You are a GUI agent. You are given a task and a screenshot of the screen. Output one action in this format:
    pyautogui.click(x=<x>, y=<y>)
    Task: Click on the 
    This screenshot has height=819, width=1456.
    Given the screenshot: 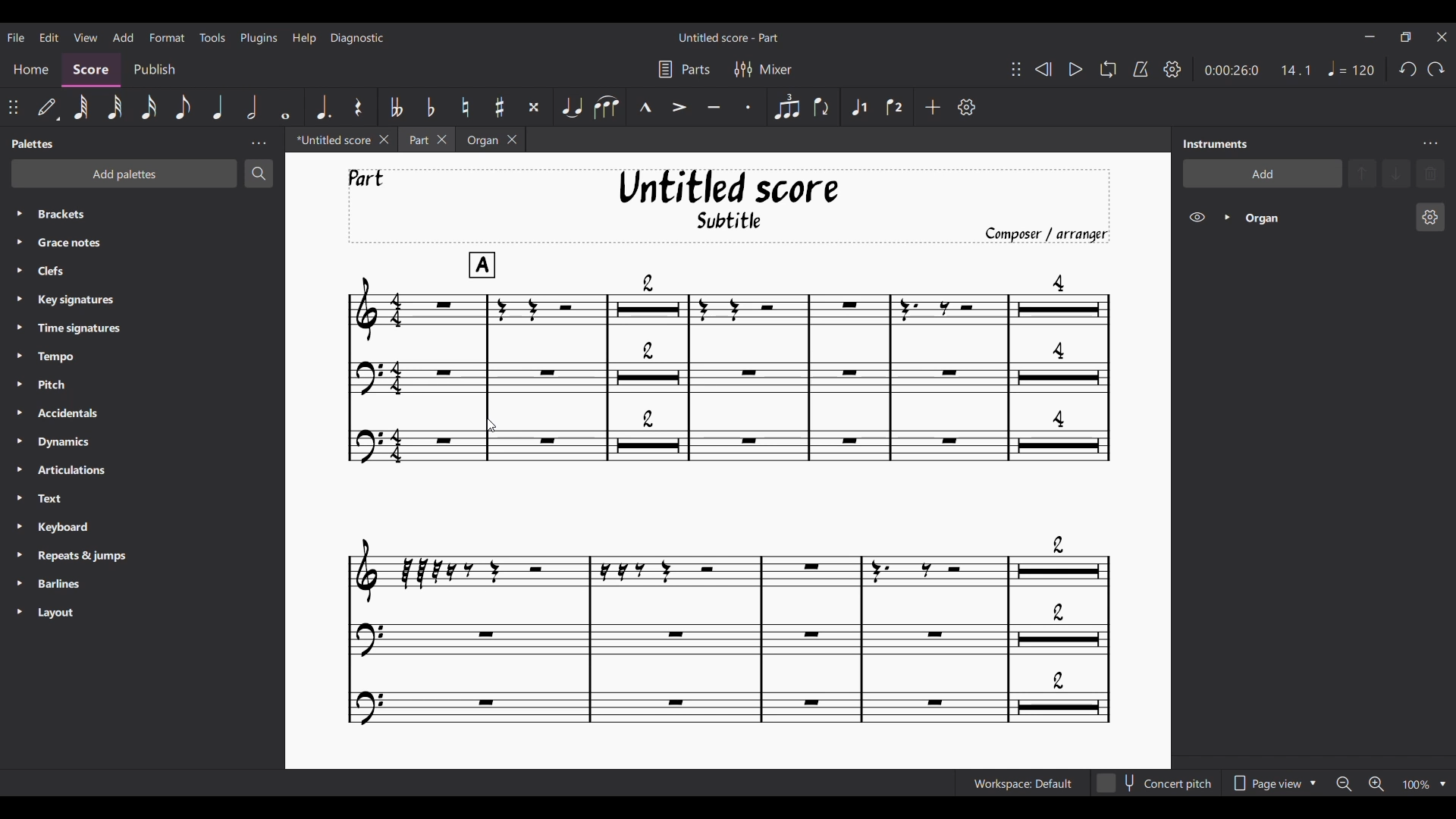 What is the action you would take?
    pyautogui.click(x=1323, y=218)
    